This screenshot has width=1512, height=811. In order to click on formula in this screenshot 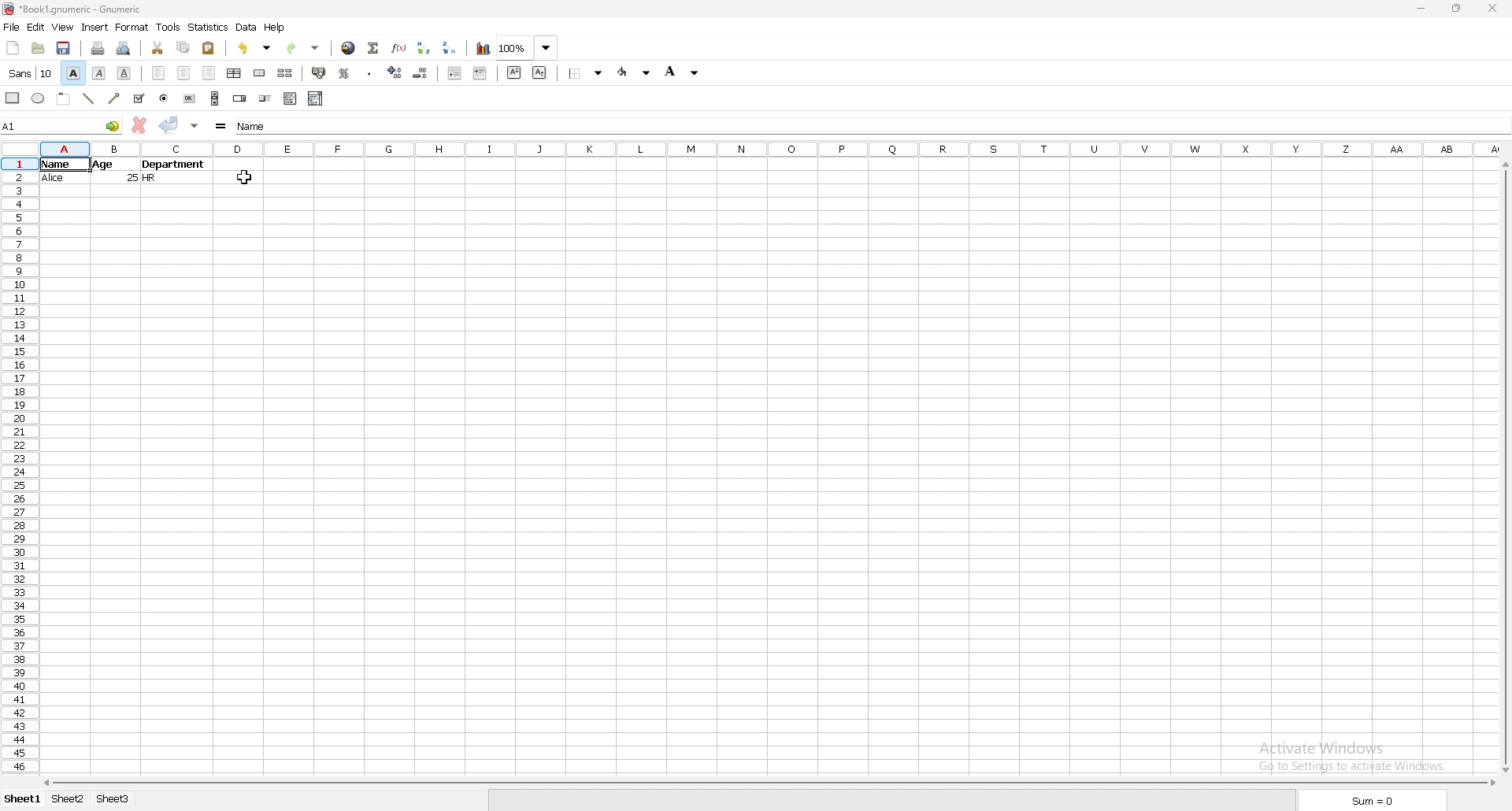, I will do `click(221, 126)`.